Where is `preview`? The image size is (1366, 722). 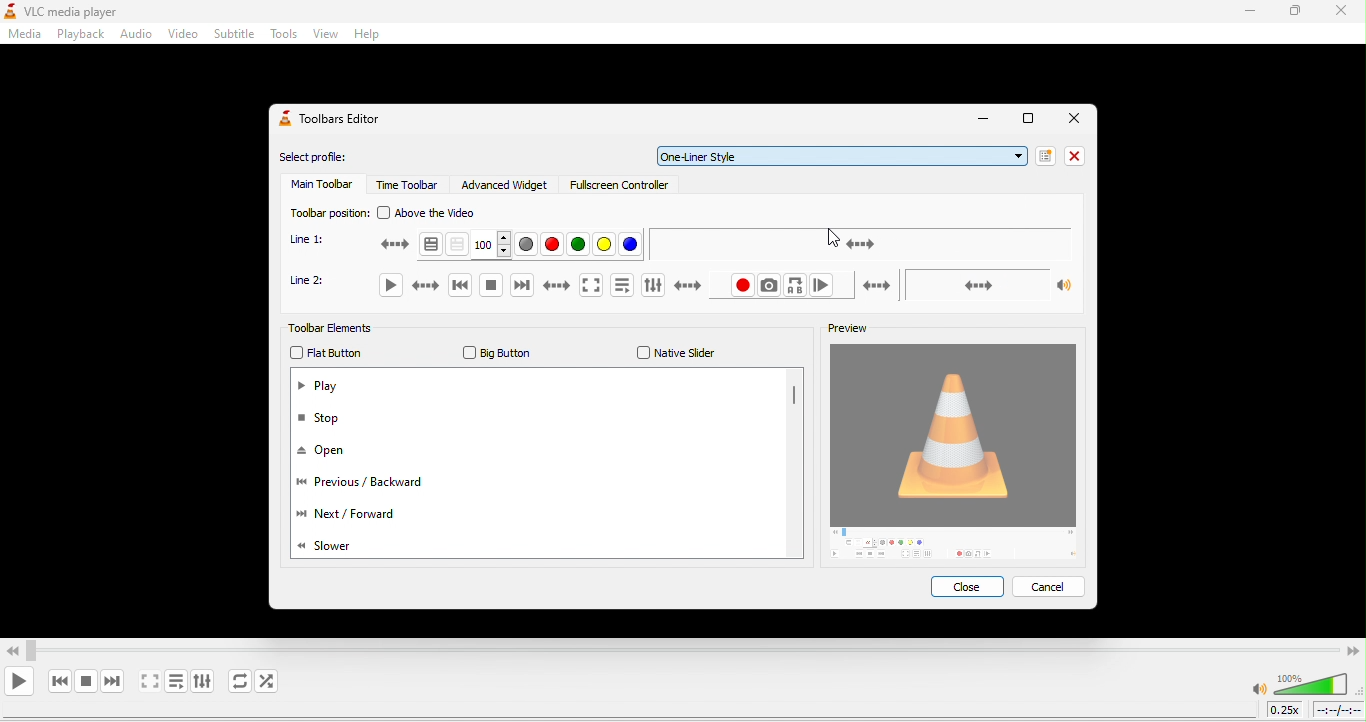 preview is located at coordinates (849, 324).